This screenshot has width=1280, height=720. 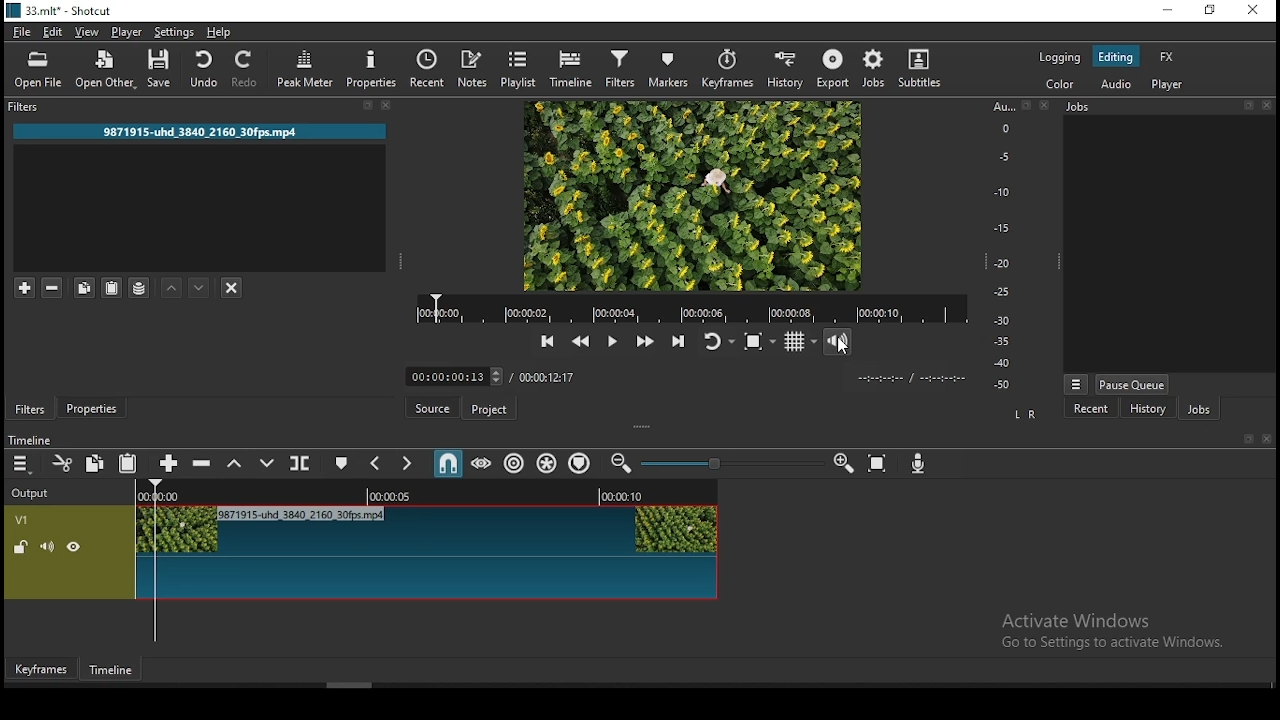 What do you see at coordinates (570, 71) in the screenshot?
I see `timeline` at bounding box center [570, 71].